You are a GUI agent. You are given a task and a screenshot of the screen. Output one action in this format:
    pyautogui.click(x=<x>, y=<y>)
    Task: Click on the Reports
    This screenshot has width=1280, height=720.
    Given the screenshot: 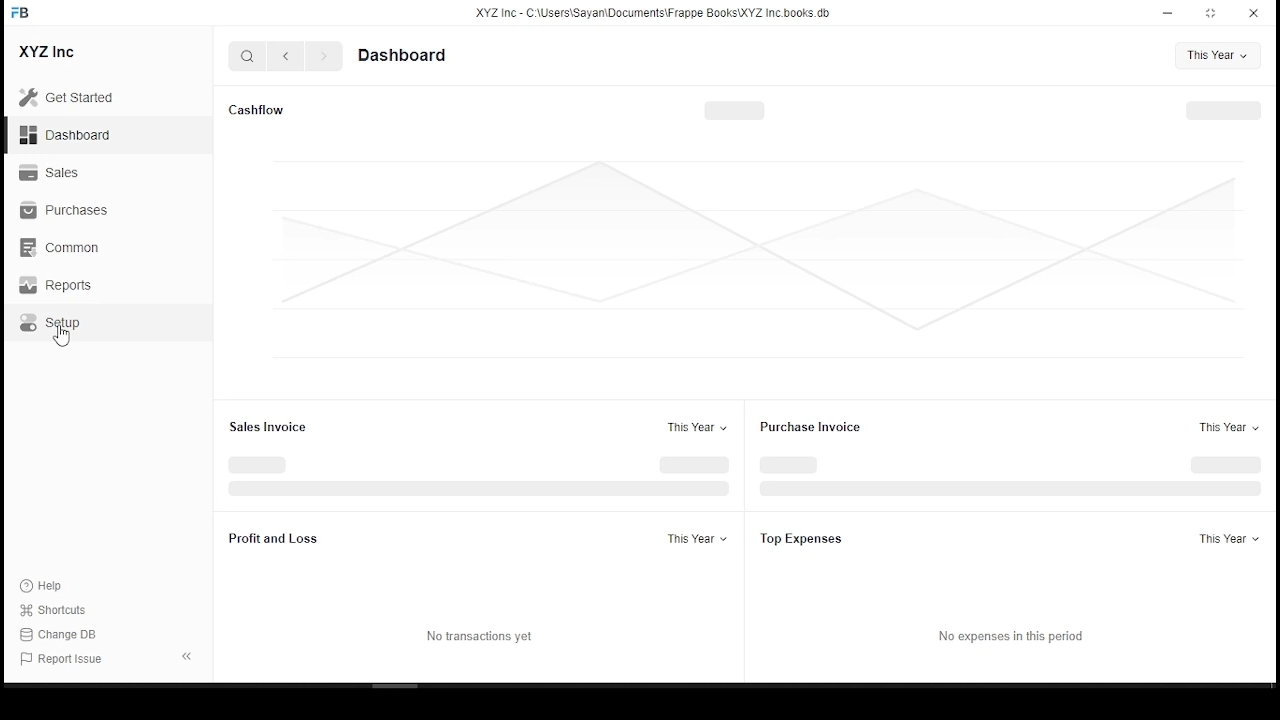 What is the action you would take?
    pyautogui.click(x=54, y=285)
    